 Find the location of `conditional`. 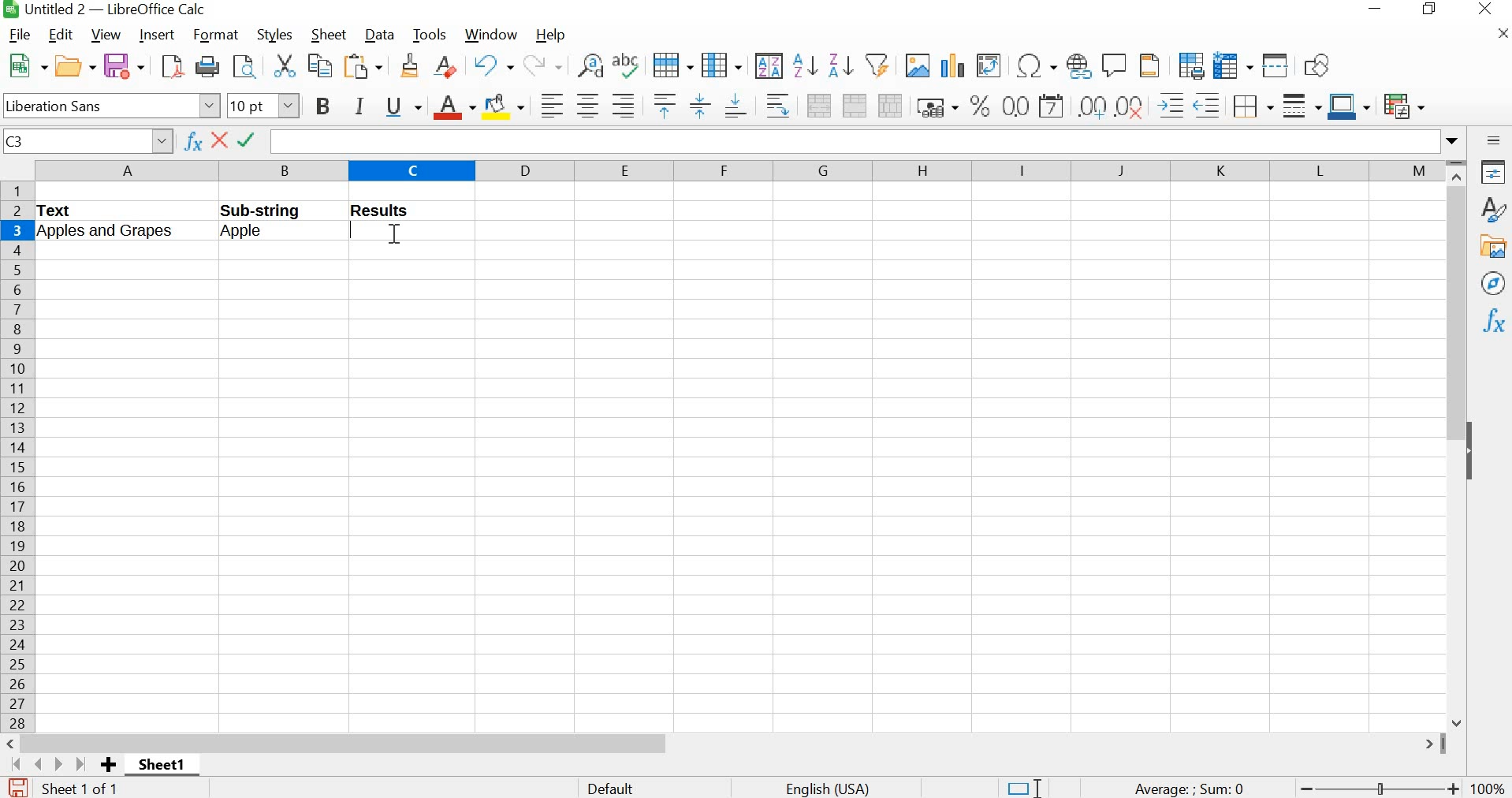

conditional is located at coordinates (1405, 106).